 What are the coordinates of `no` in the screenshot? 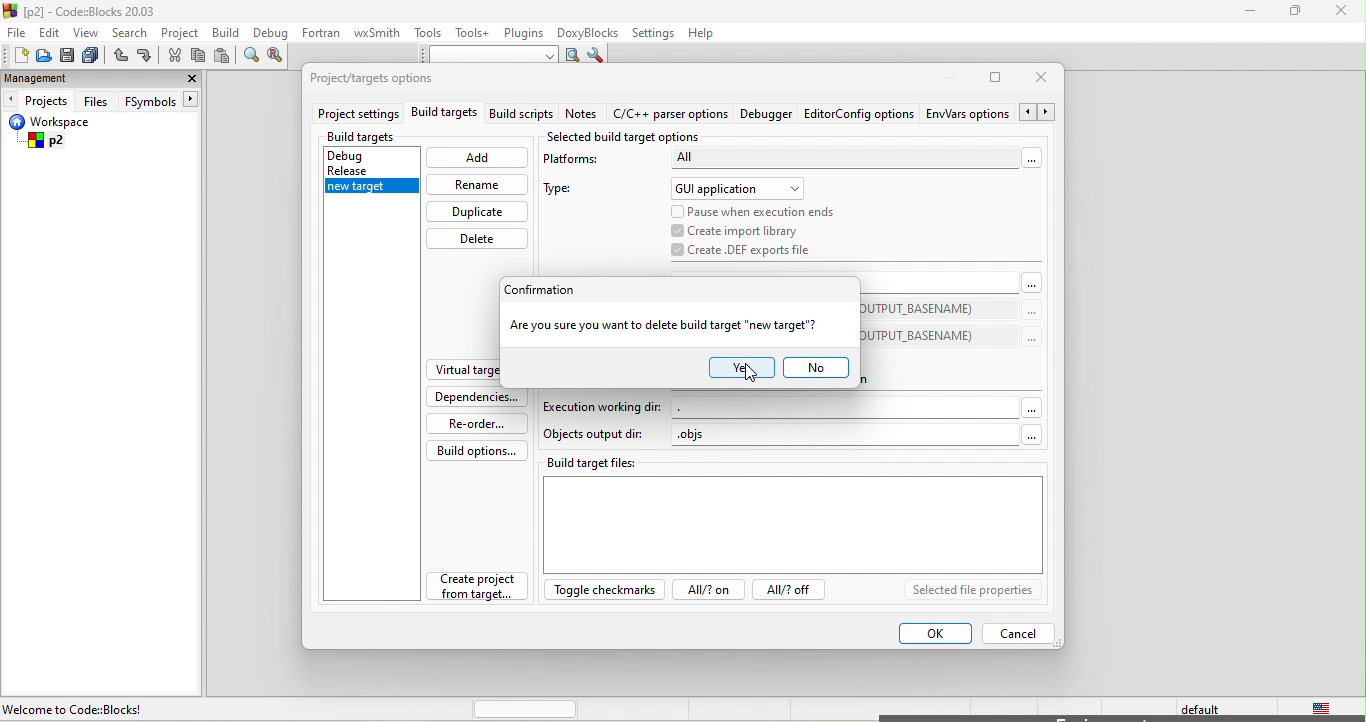 It's located at (817, 367).